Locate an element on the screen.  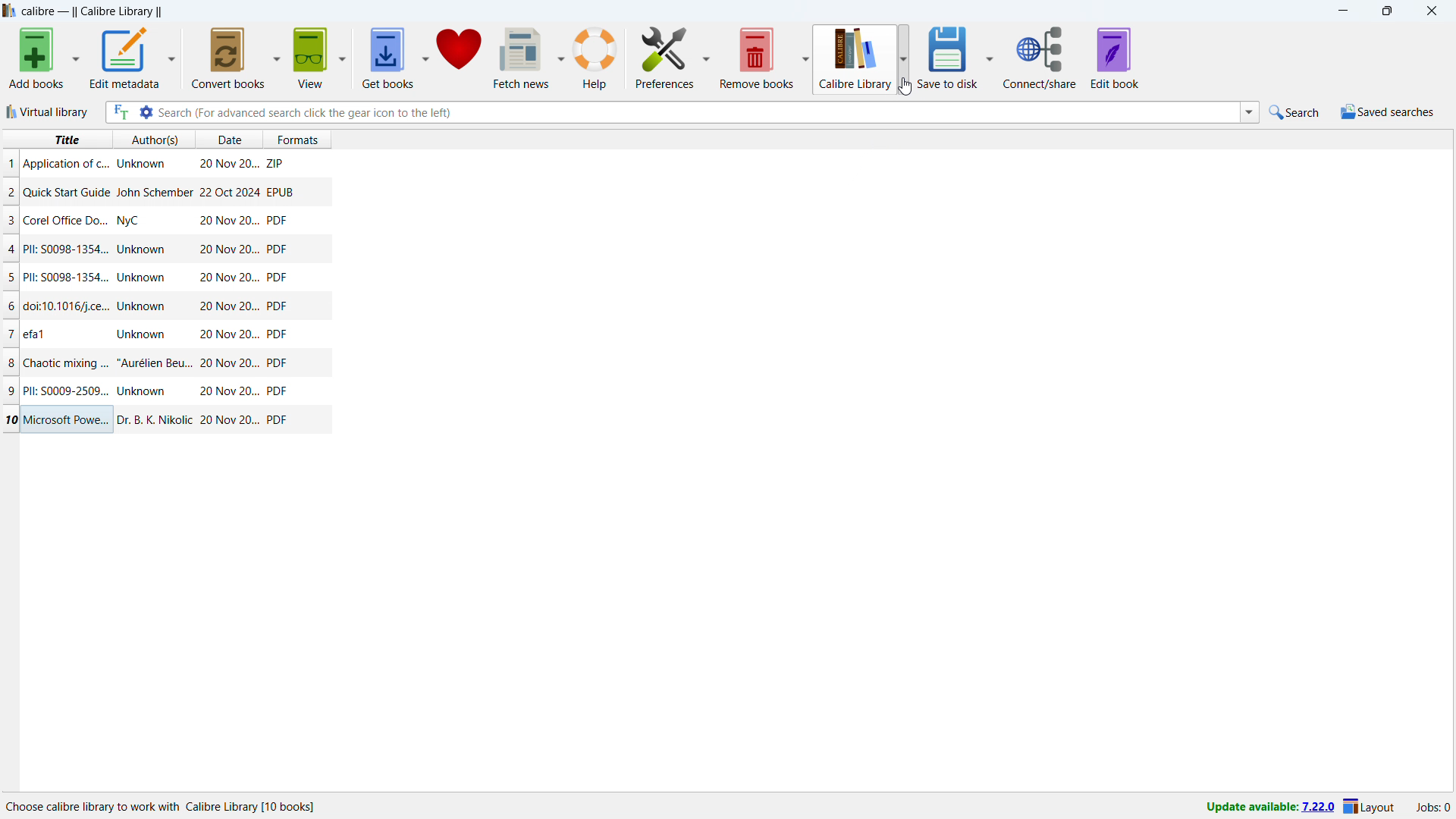
PDF is located at coordinates (278, 334).